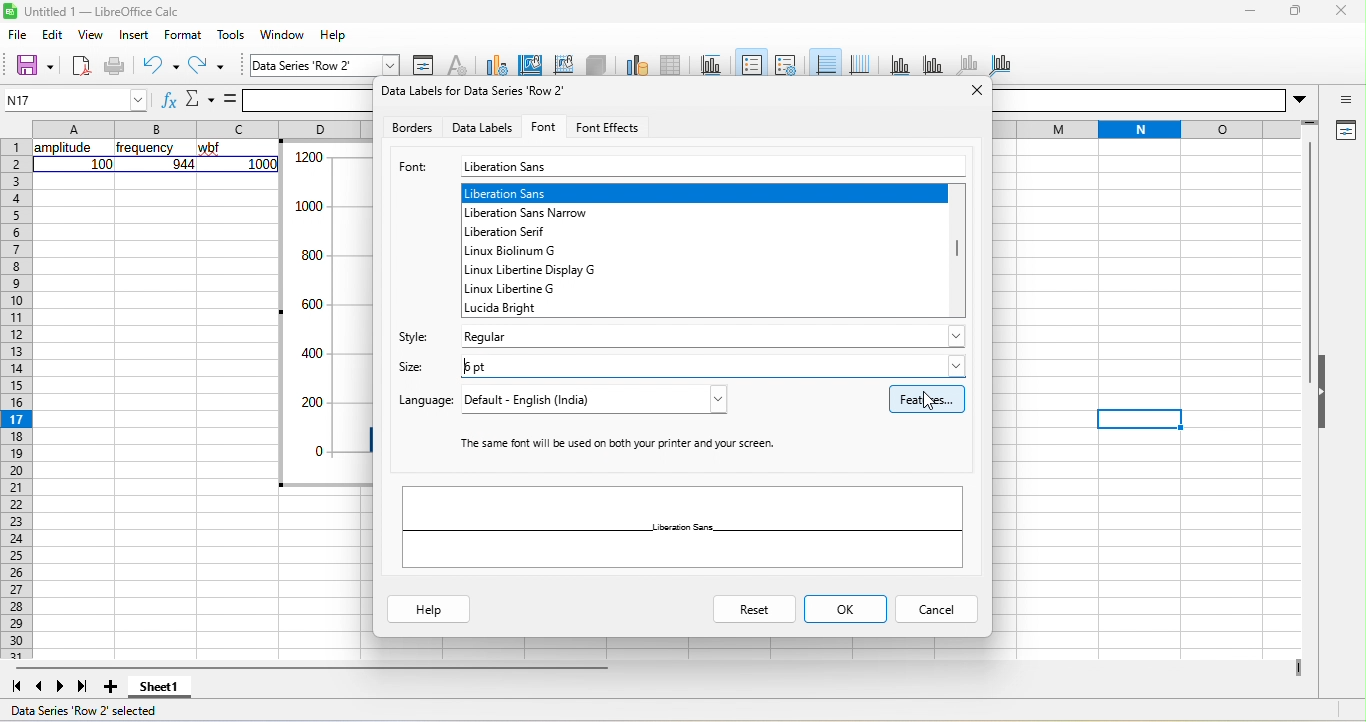 The width and height of the screenshot is (1366, 722). Describe the element at coordinates (313, 667) in the screenshot. I see `horizontal scroll bar` at that location.